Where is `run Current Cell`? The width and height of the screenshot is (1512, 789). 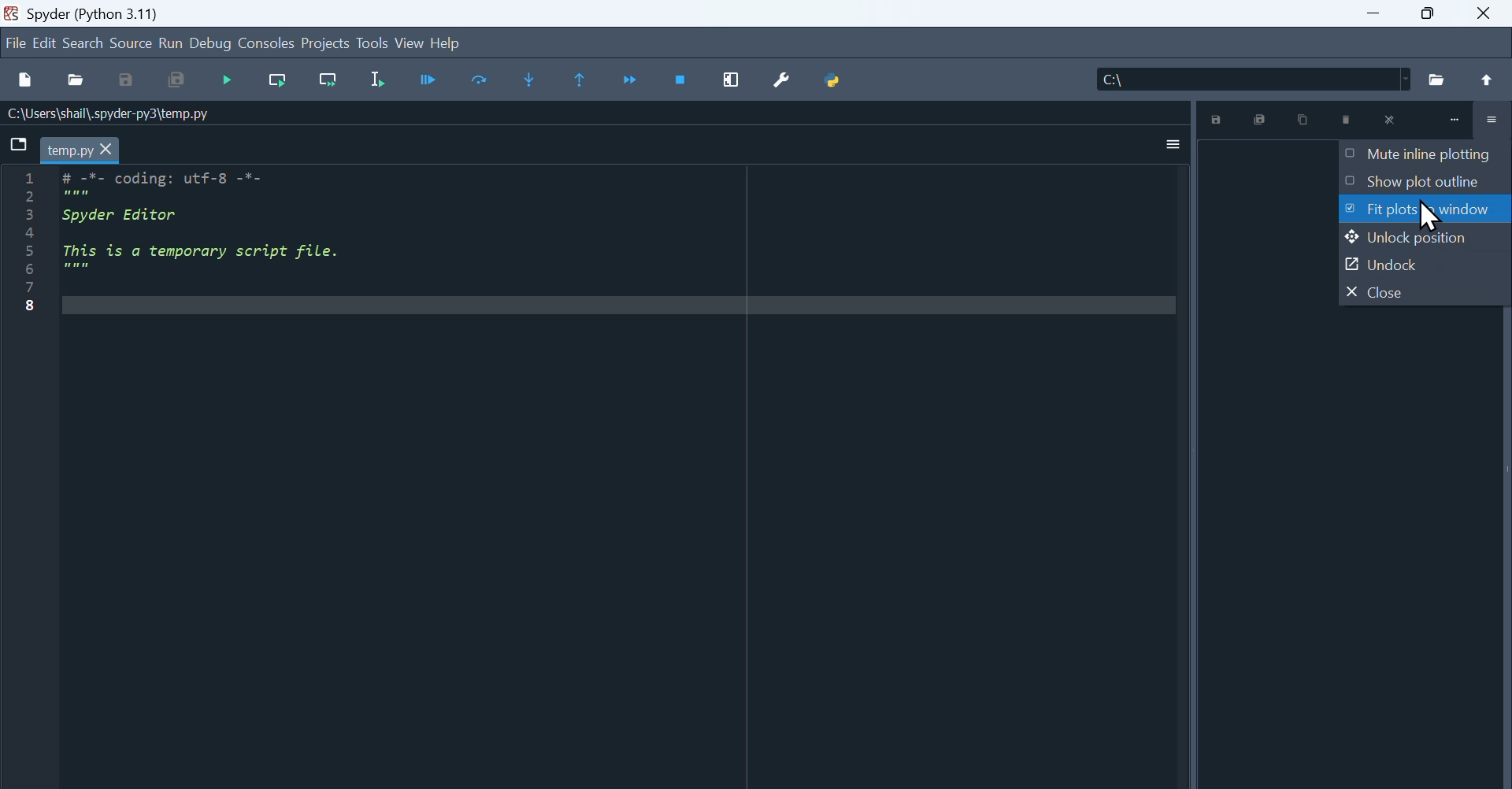 run Current Cell is located at coordinates (426, 78).